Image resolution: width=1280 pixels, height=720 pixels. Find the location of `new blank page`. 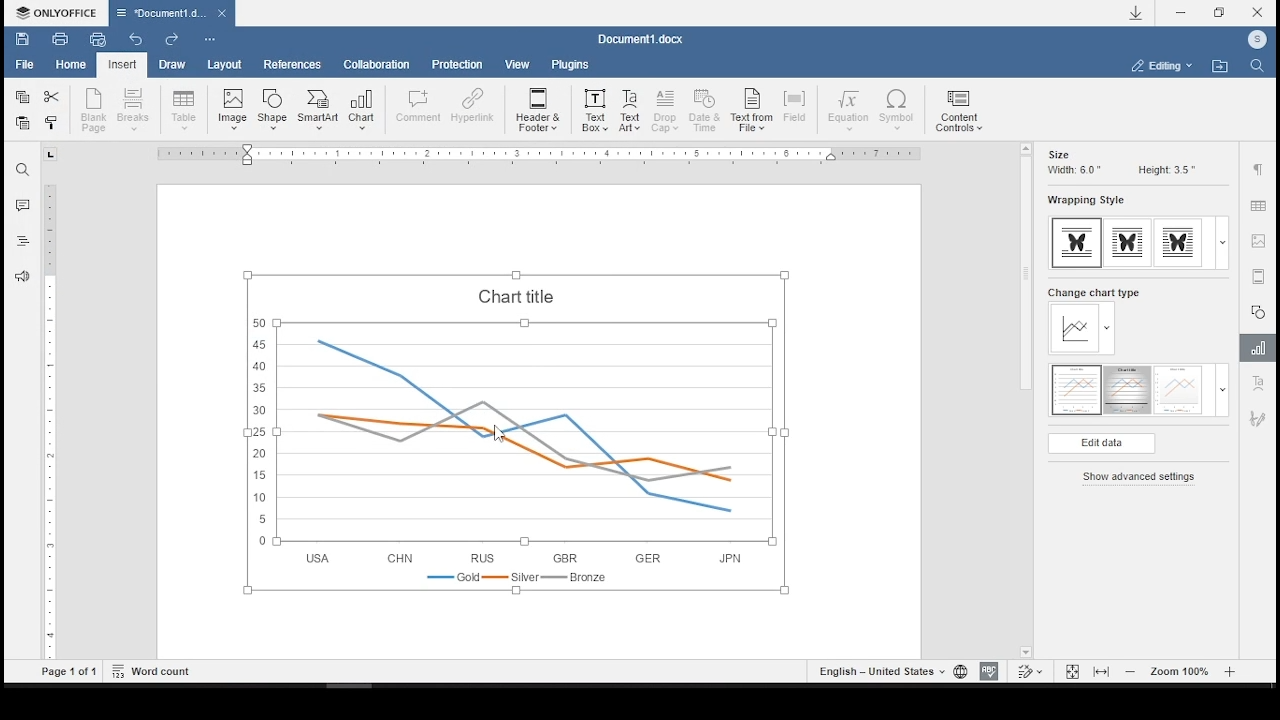

new blank page is located at coordinates (95, 110).